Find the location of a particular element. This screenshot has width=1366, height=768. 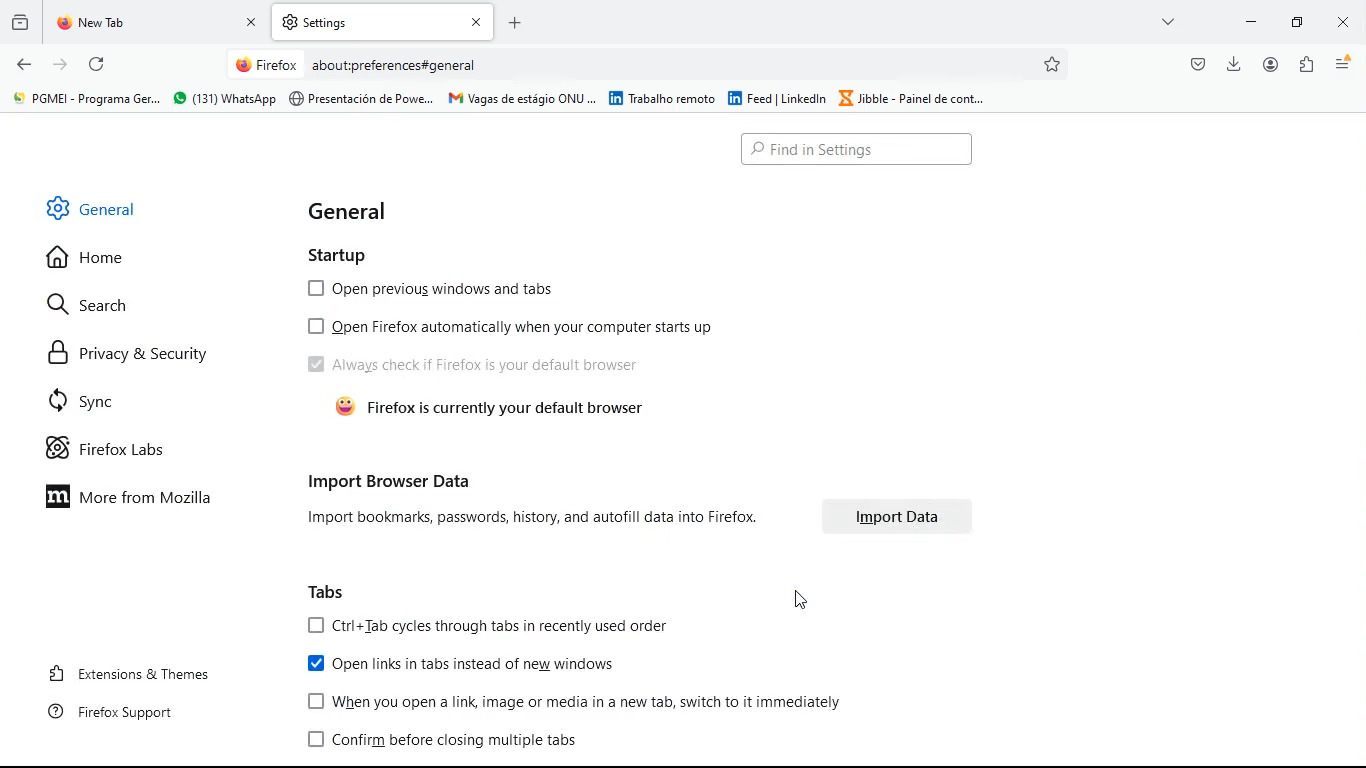

feed | Linkedin is located at coordinates (778, 97).